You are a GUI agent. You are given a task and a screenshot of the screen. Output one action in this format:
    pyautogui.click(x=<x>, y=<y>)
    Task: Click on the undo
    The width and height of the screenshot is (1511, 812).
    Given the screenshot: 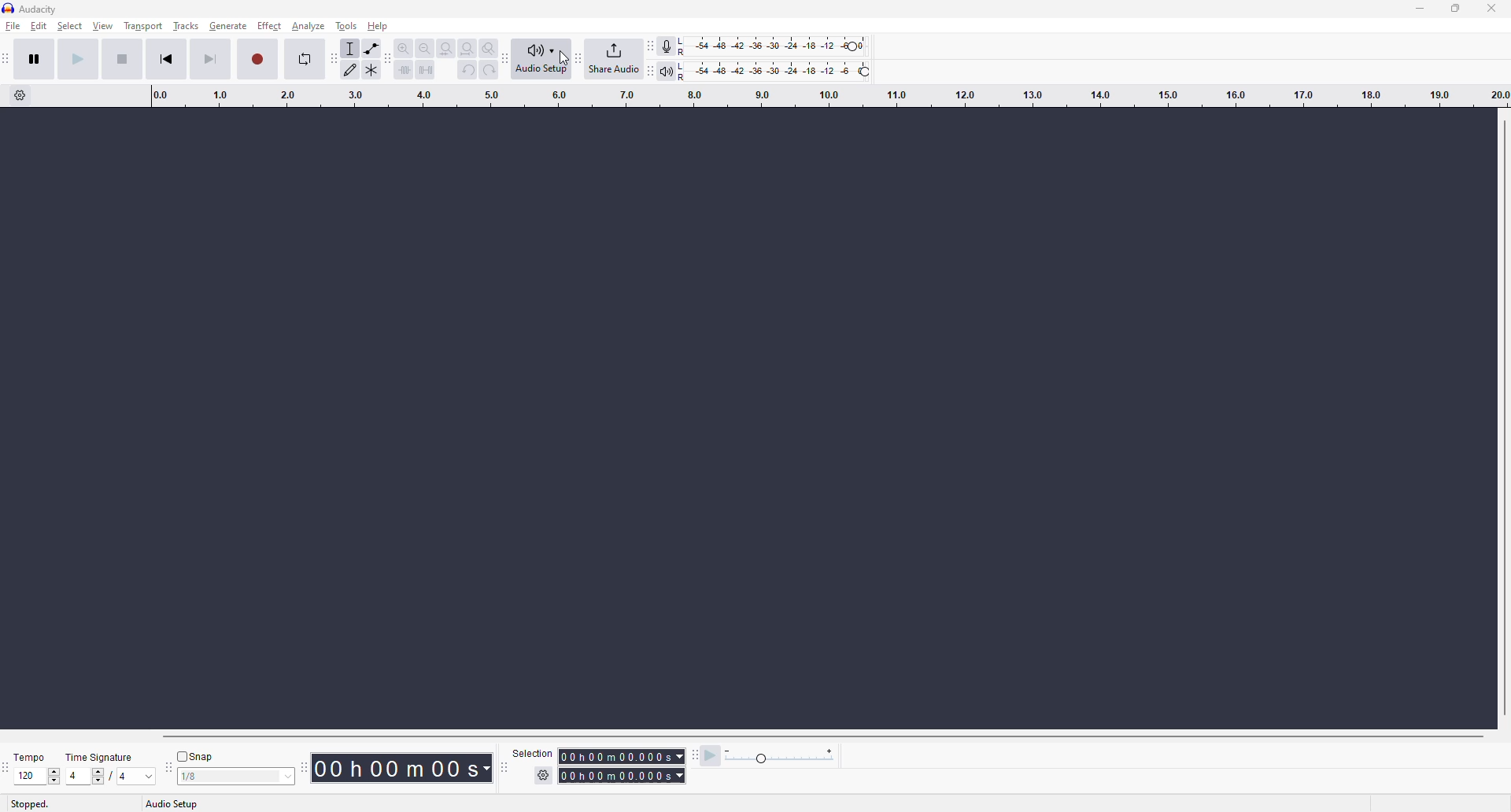 What is the action you would take?
    pyautogui.click(x=467, y=68)
    